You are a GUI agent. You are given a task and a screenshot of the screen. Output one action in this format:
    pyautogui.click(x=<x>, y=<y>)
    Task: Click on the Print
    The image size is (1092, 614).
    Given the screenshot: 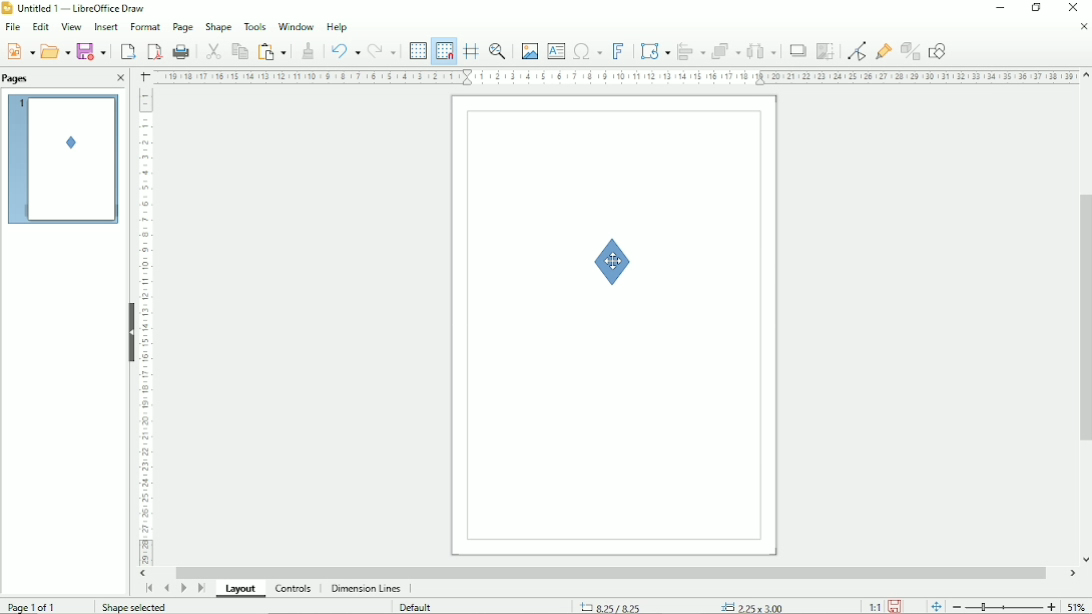 What is the action you would take?
    pyautogui.click(x=180, y=51)
    